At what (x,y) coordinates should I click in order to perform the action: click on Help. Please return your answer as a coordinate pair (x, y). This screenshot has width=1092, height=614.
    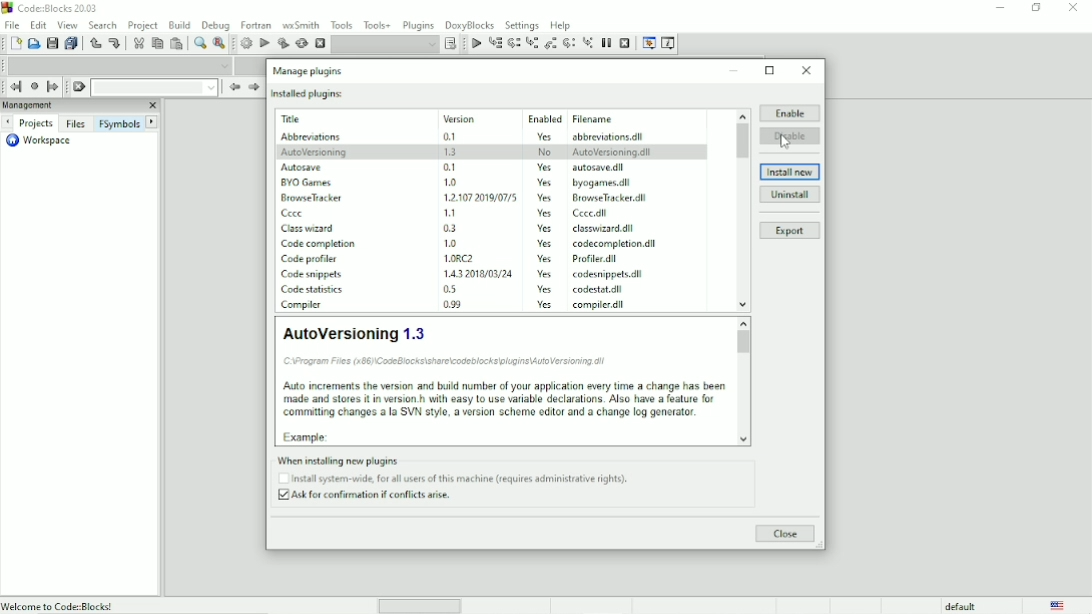
    Looking at the image, I should click on (561, 24).